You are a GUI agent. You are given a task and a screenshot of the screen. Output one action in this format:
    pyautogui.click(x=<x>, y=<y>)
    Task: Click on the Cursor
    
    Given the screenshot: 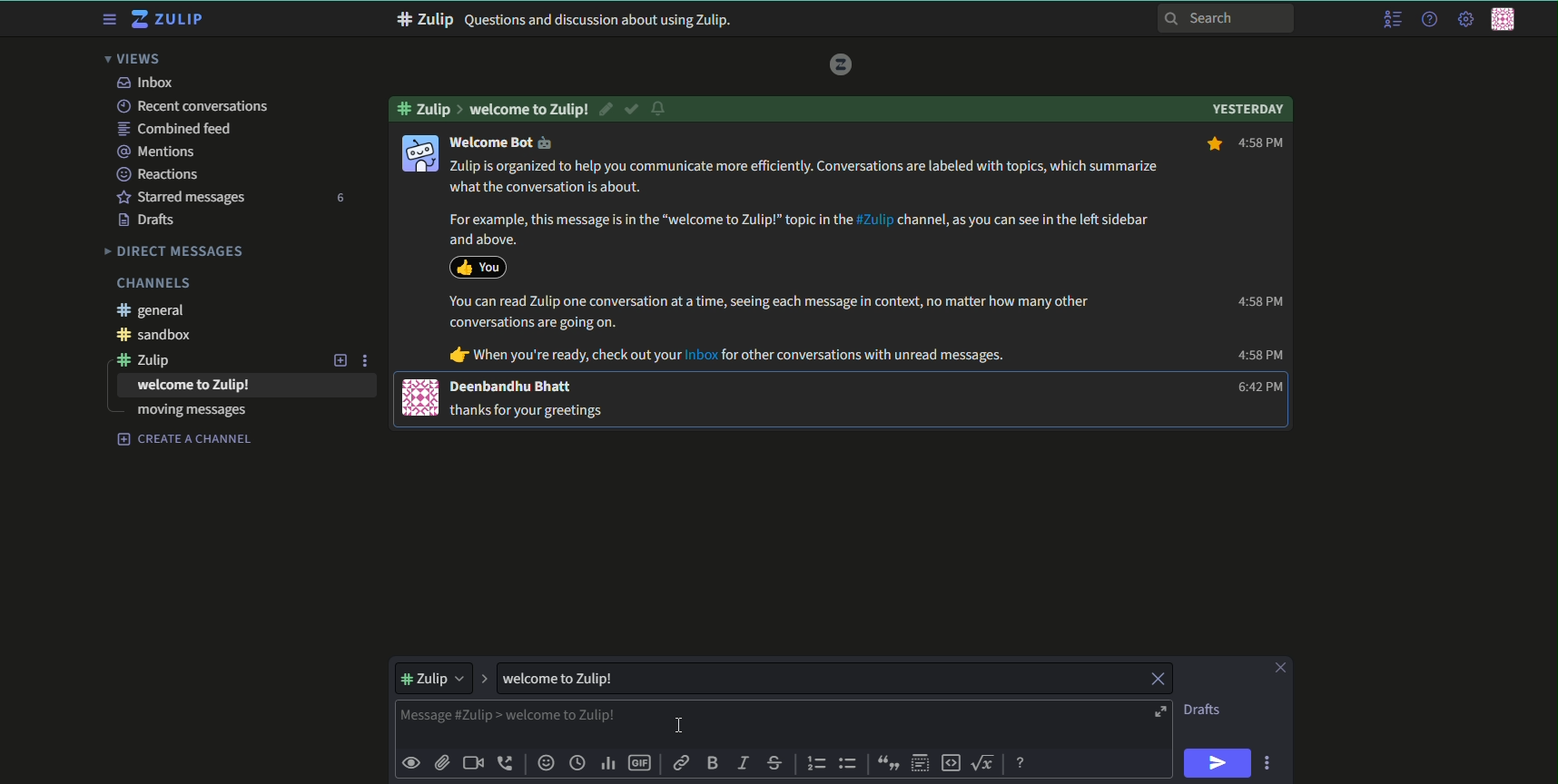 What is the action you would take?
    pyautogui.click(x=682, y=723)
    